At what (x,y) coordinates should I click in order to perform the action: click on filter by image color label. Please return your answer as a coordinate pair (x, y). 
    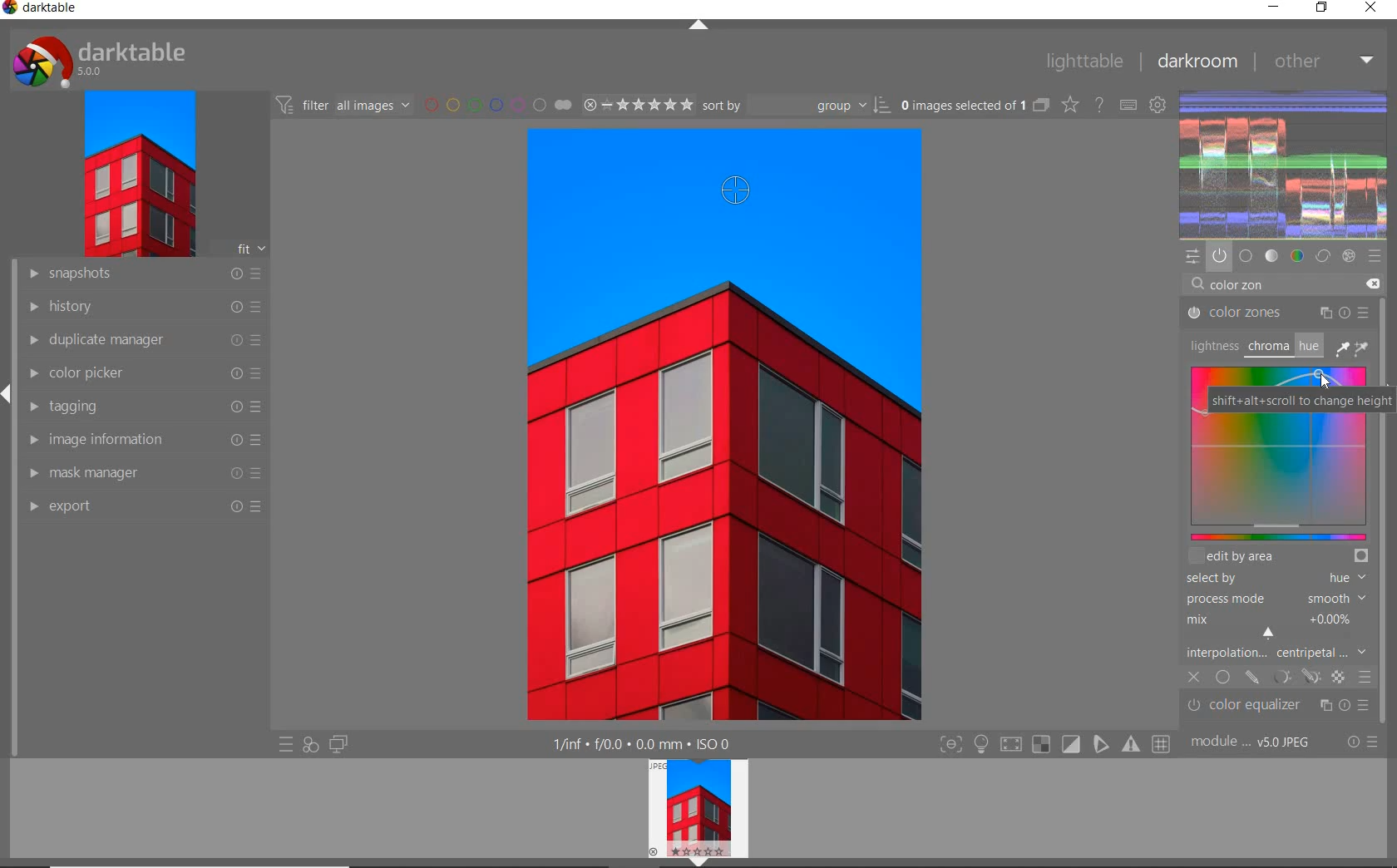
    Looking at the image, I should click on (497, 105).